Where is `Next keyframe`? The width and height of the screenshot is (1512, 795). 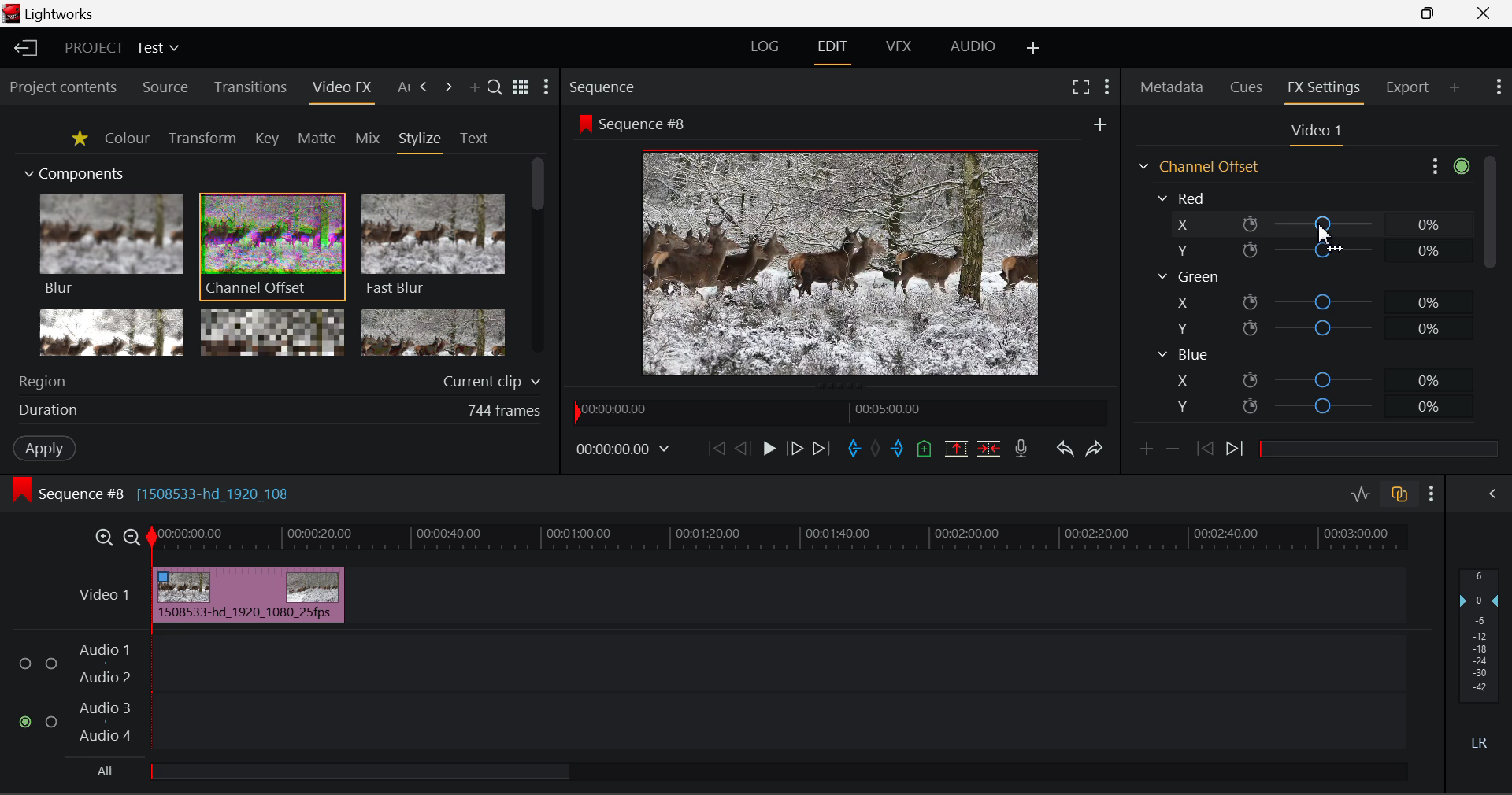 Next keyframe is located at coordinates (1237, 451).